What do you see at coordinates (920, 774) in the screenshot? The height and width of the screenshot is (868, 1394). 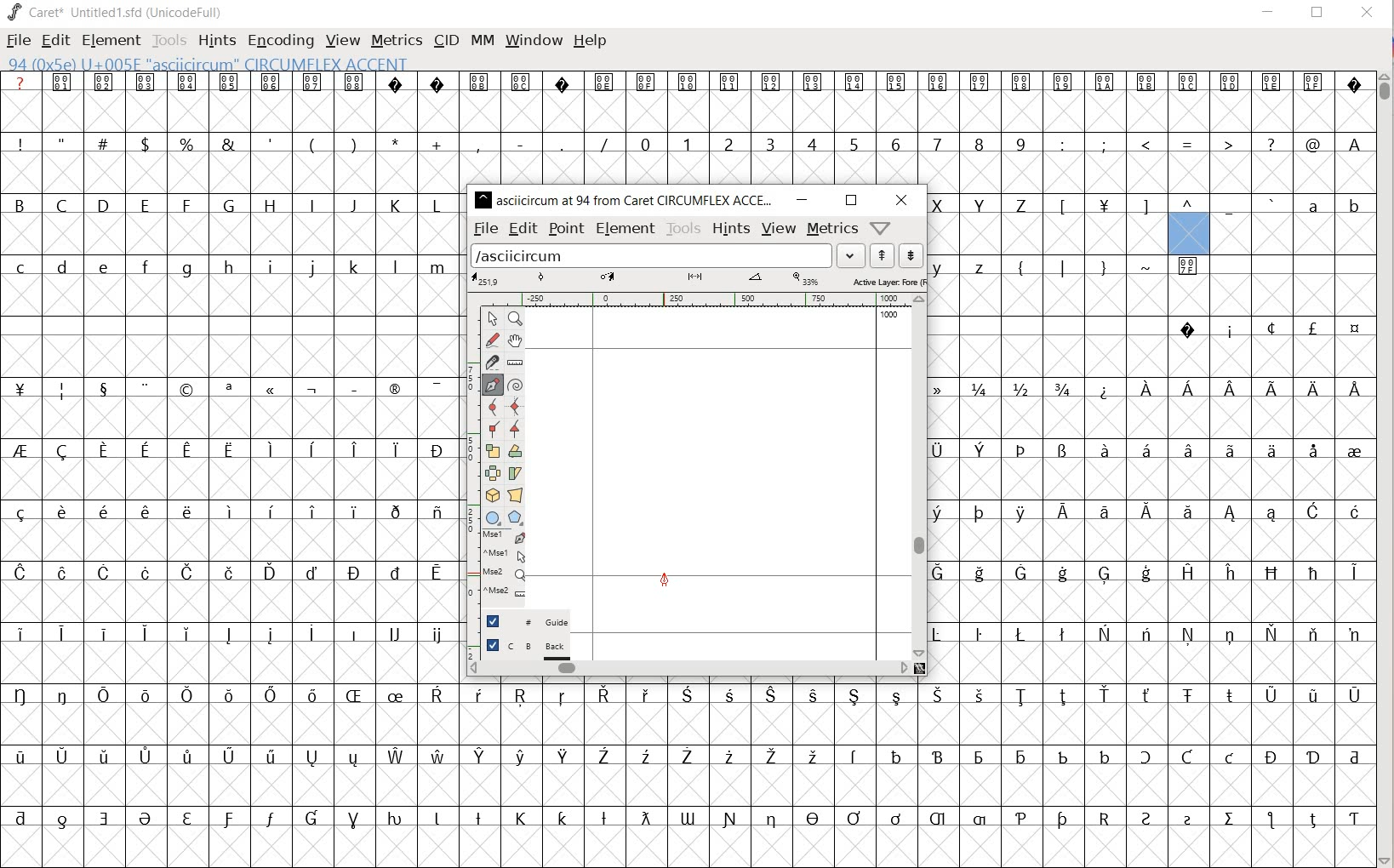 I see `glyph characters` at bounding box center [920, 774].